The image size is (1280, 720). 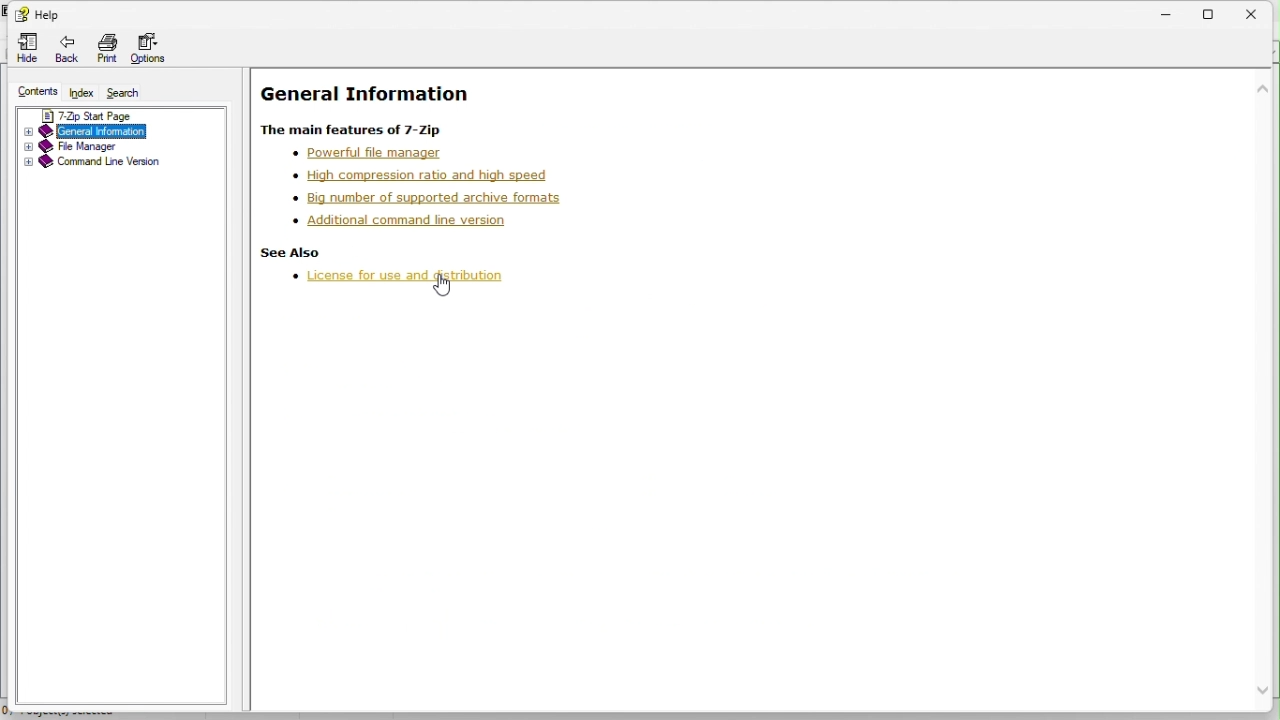 What do you see at coordinates (1175, 10) in the screenshot?
I see `Minimize` at bounding box center [1175, 10].